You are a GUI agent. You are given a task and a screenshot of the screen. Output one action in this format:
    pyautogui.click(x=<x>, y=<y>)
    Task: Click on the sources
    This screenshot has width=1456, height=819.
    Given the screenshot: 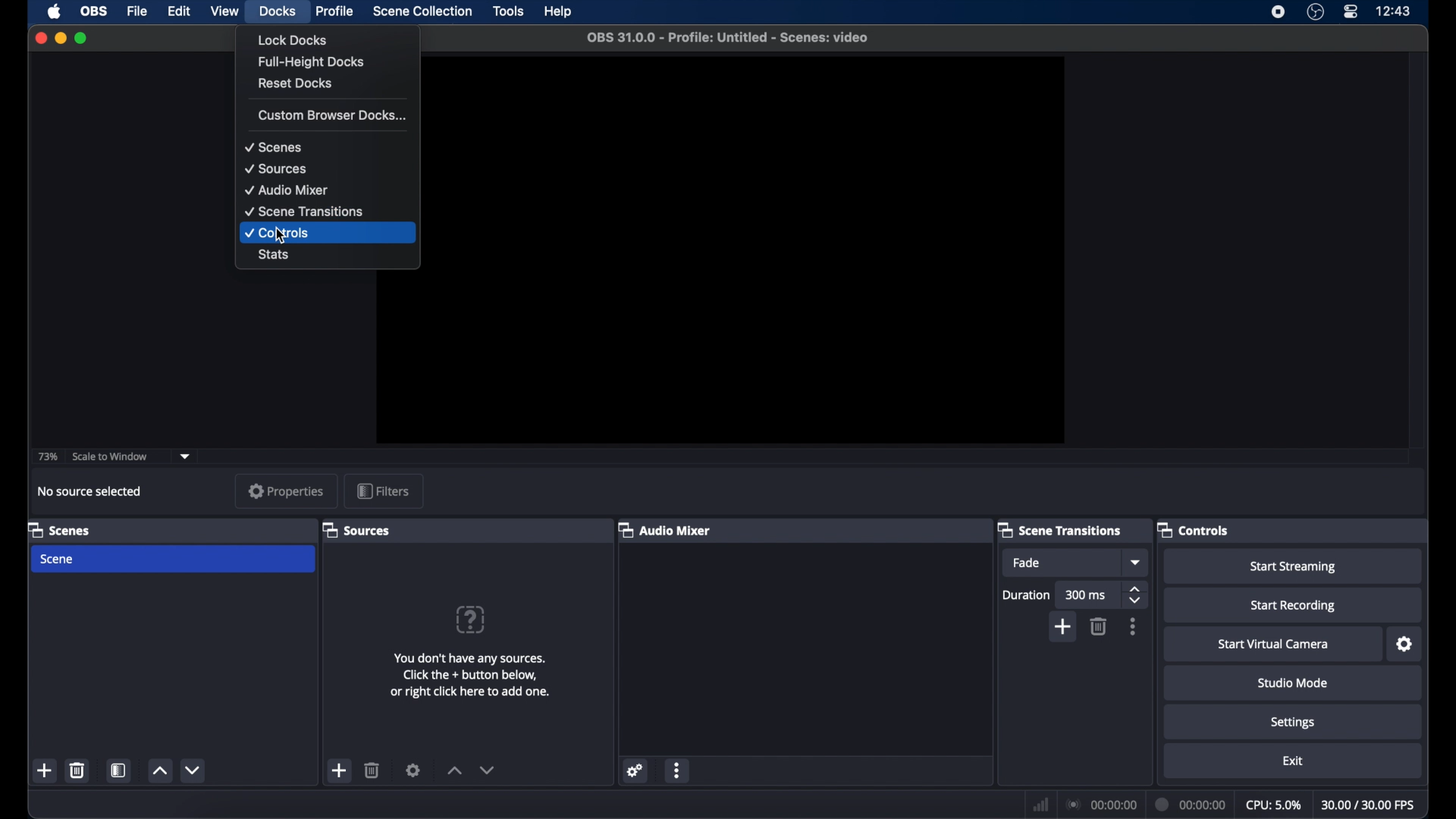 What is the action you would take?
    pyautogui.click(x=359, y=531)
    